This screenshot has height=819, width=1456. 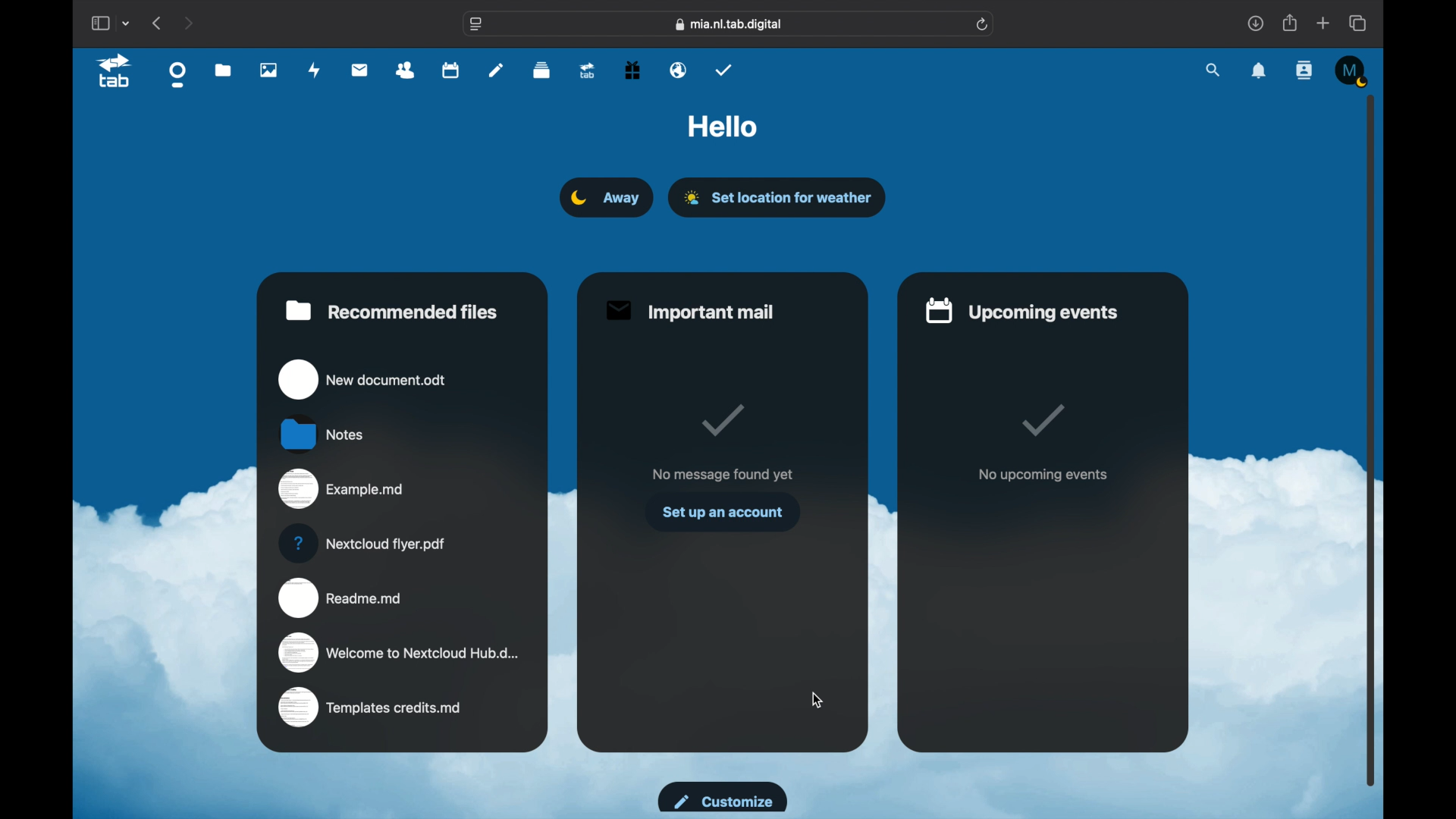 I want to click on notes, so click(x=324, y=433).